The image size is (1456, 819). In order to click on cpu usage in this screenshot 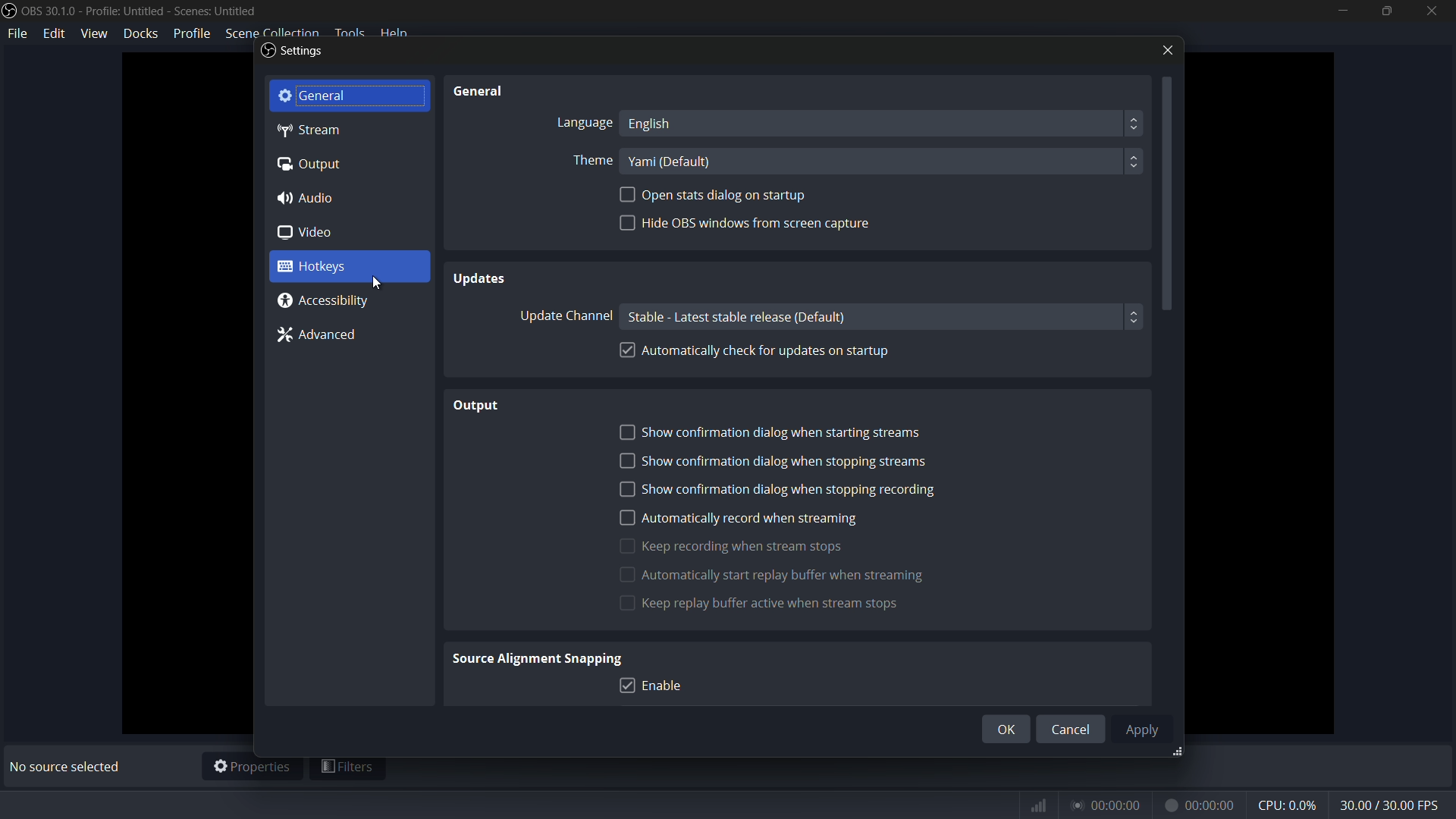, I will do `click(1289, 805)`.